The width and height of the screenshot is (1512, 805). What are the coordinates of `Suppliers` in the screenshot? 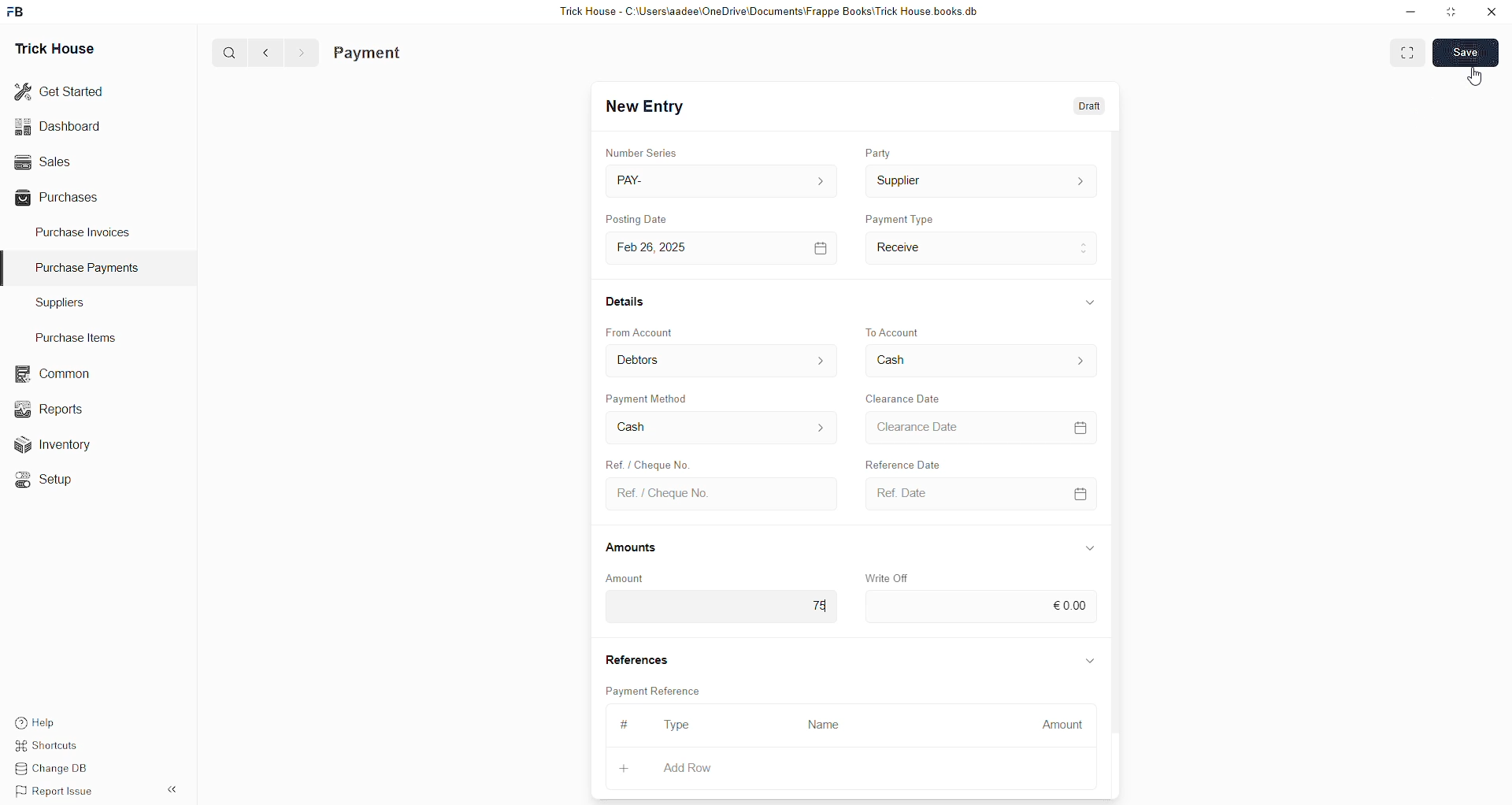 It's located at (77, 304).